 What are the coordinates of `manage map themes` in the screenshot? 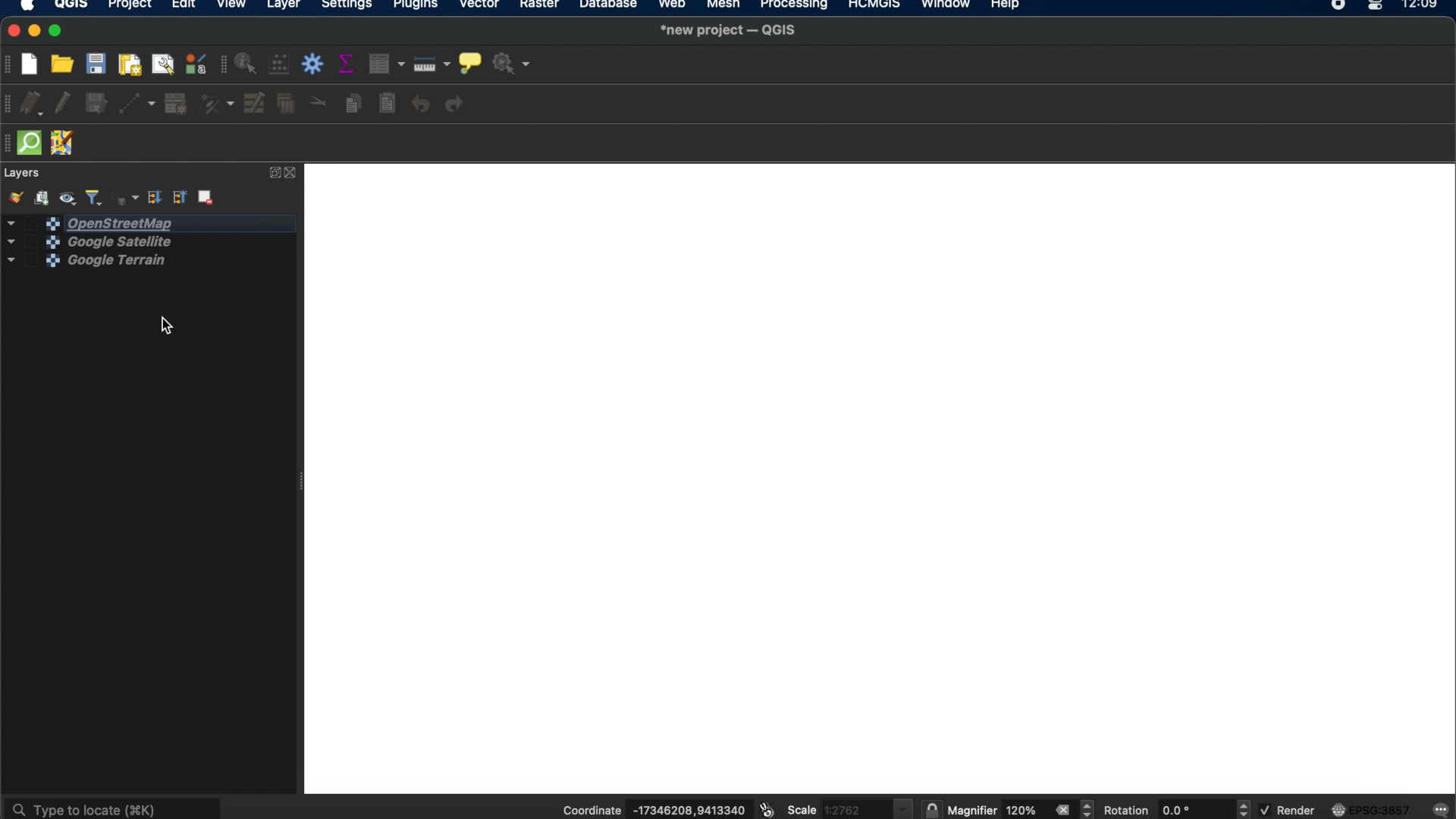 It's located at (70, 196).